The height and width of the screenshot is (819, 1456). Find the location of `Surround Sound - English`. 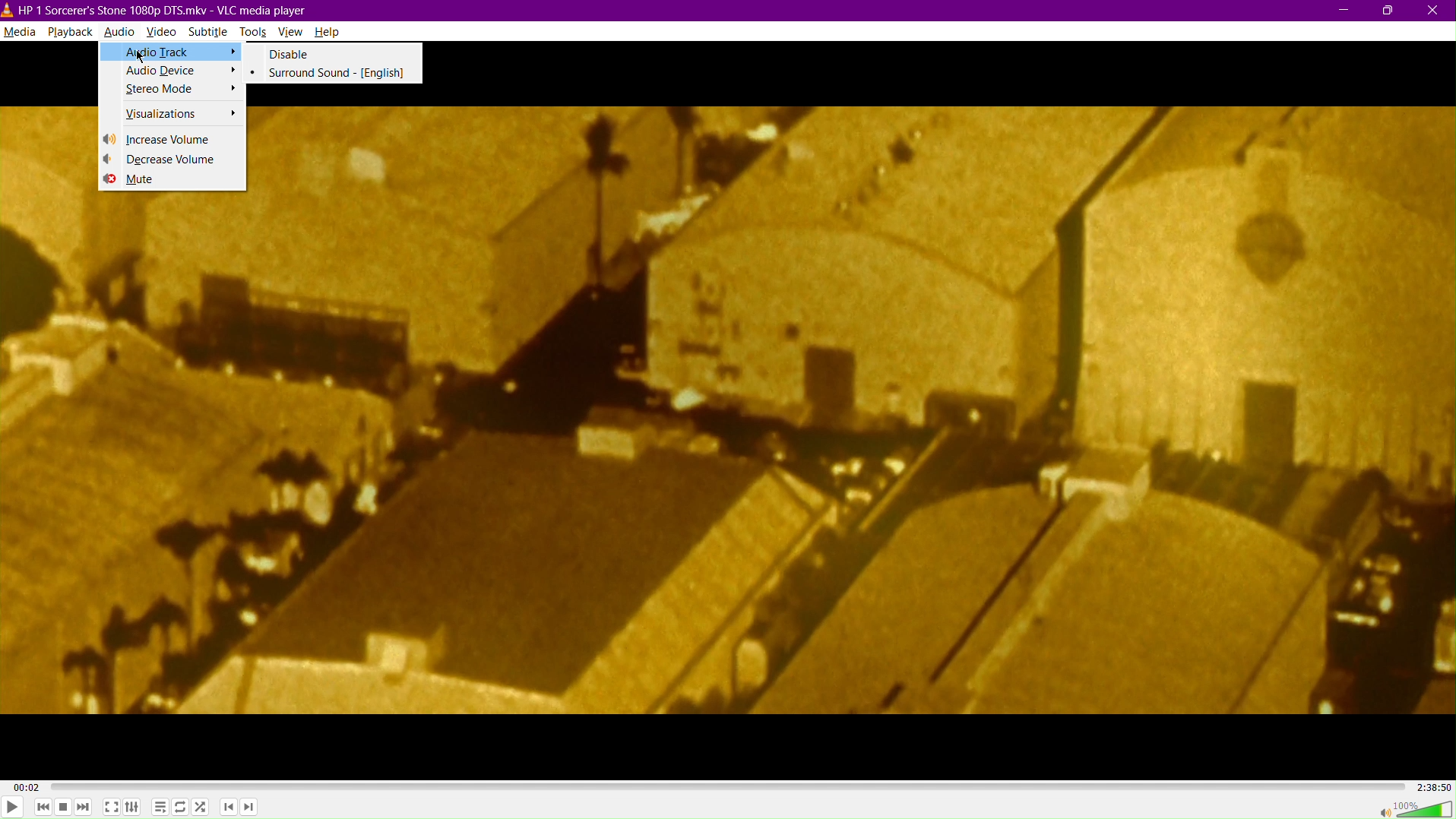

Surround Sound - English is located at coordinates (336, 74).